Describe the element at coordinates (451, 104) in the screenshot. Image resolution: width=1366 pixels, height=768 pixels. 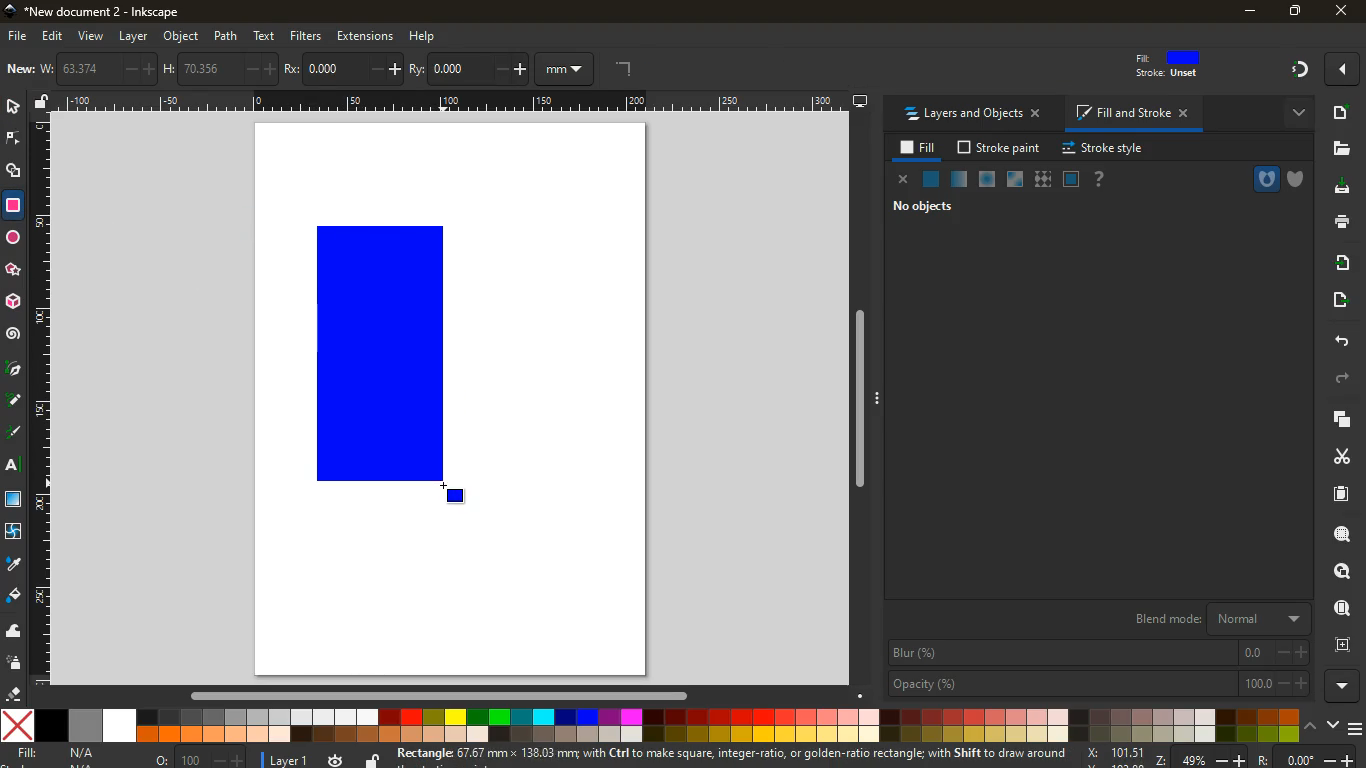
I see `` at that location.